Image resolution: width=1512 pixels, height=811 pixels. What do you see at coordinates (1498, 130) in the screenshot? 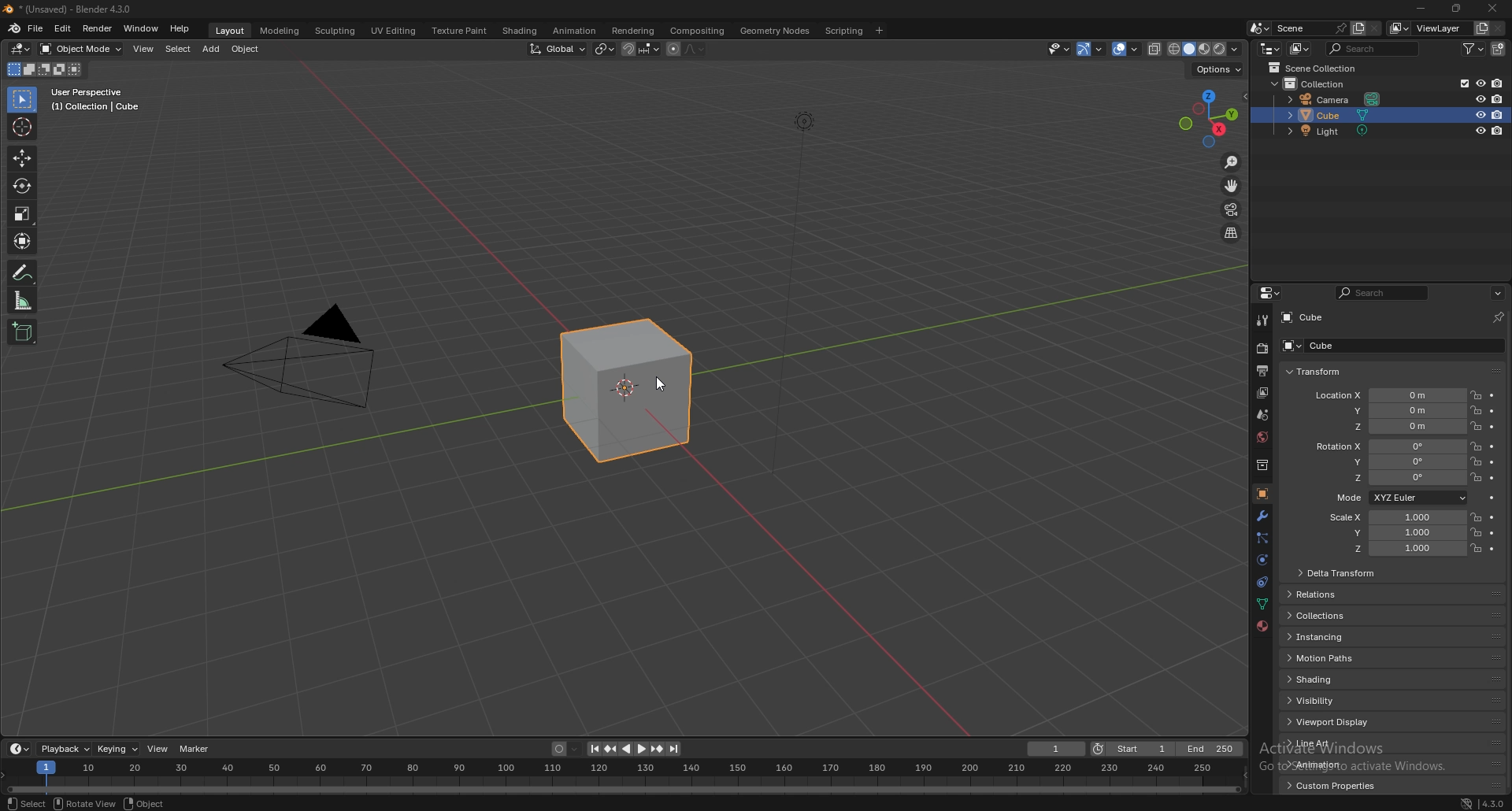
I see `disable in render` at bounding box center [1498, 130].